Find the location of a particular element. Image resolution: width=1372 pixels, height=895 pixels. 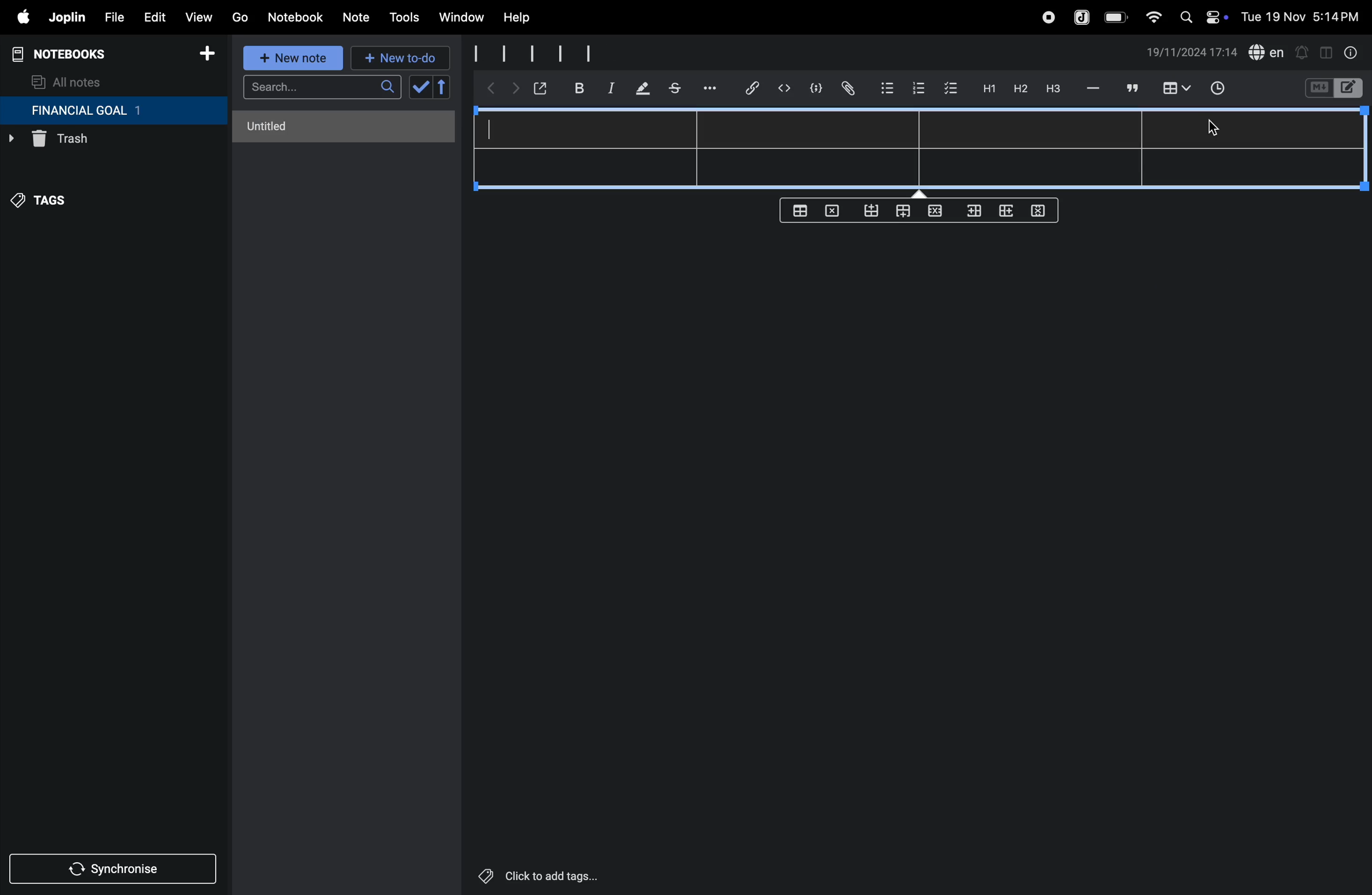

apple menu is located at coordinates (17, 17).